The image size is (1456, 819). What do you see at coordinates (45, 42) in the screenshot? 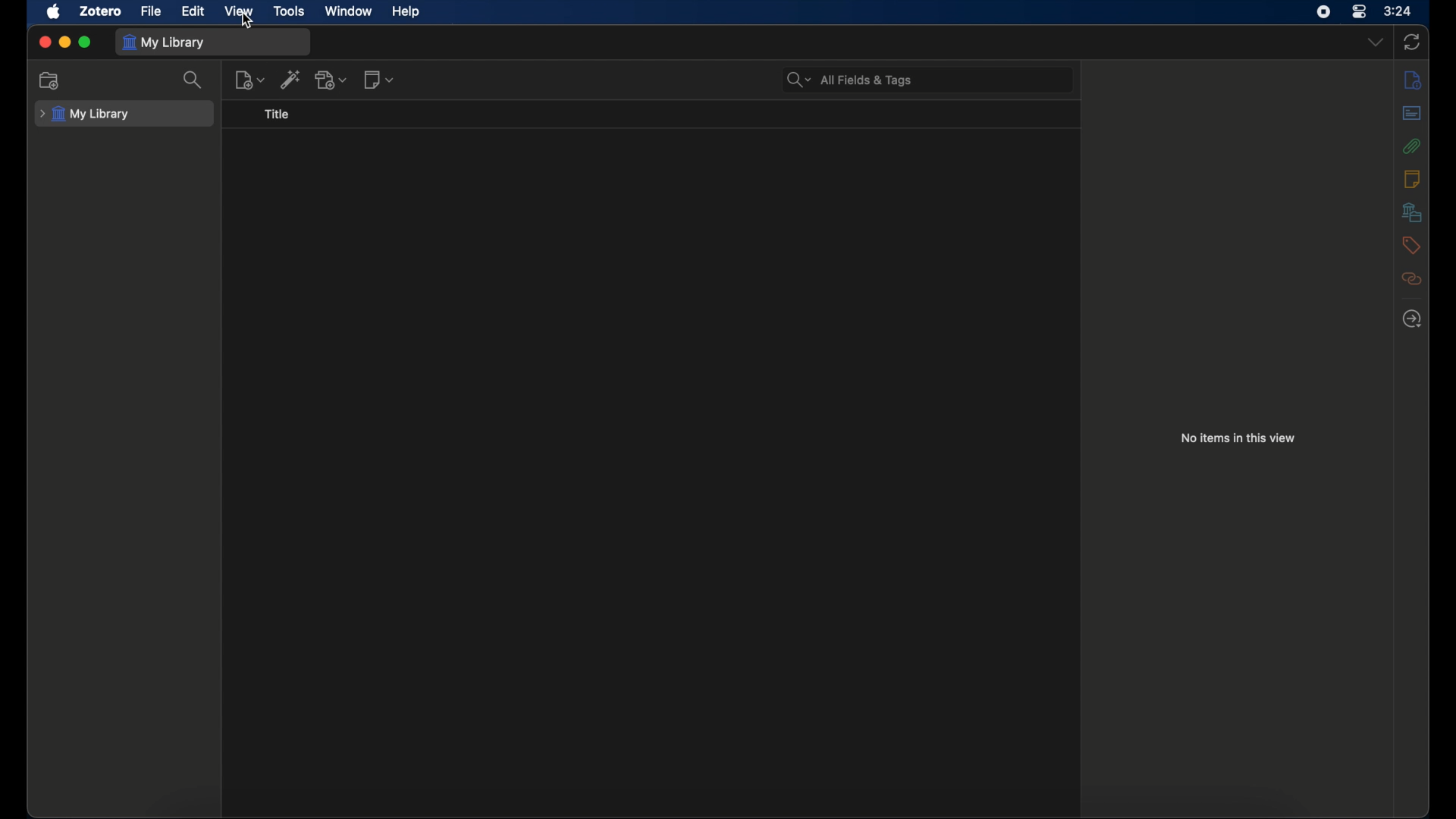
I see `close` at bounding box center [45, 42].